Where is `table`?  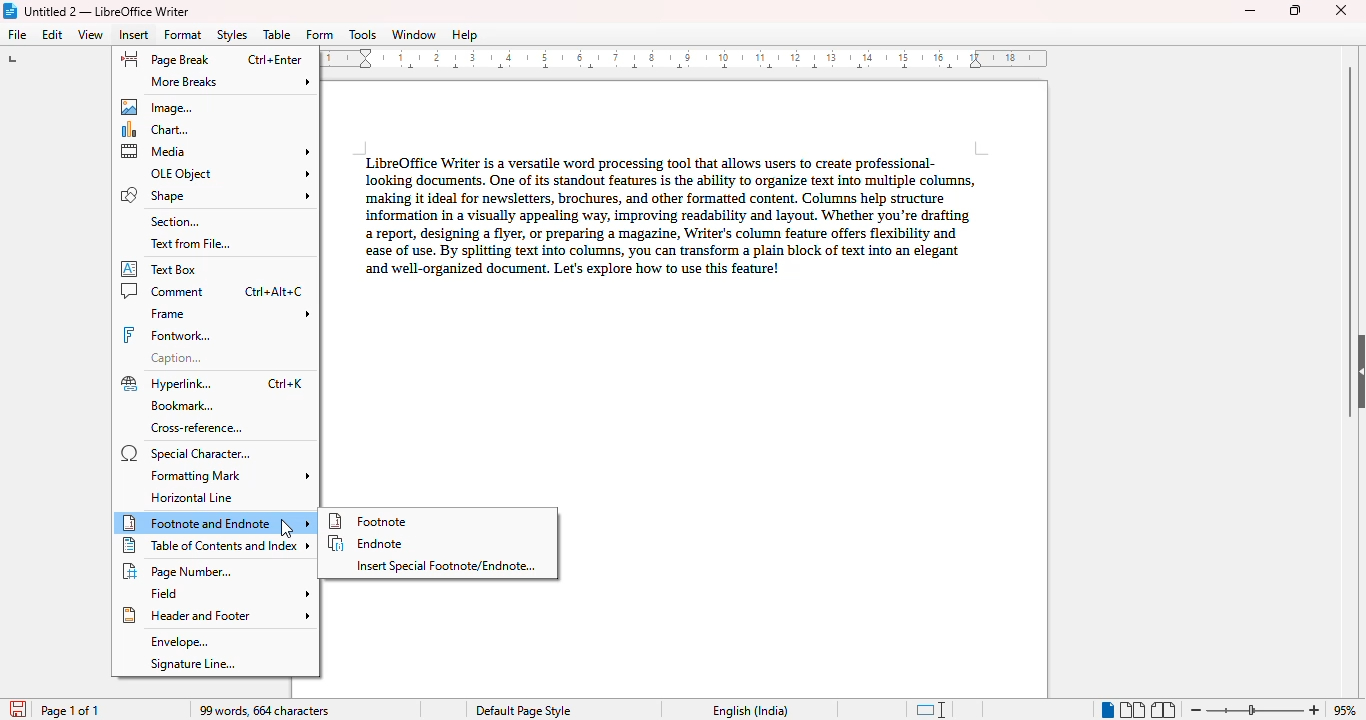 table is located at coordinates (277, 34).